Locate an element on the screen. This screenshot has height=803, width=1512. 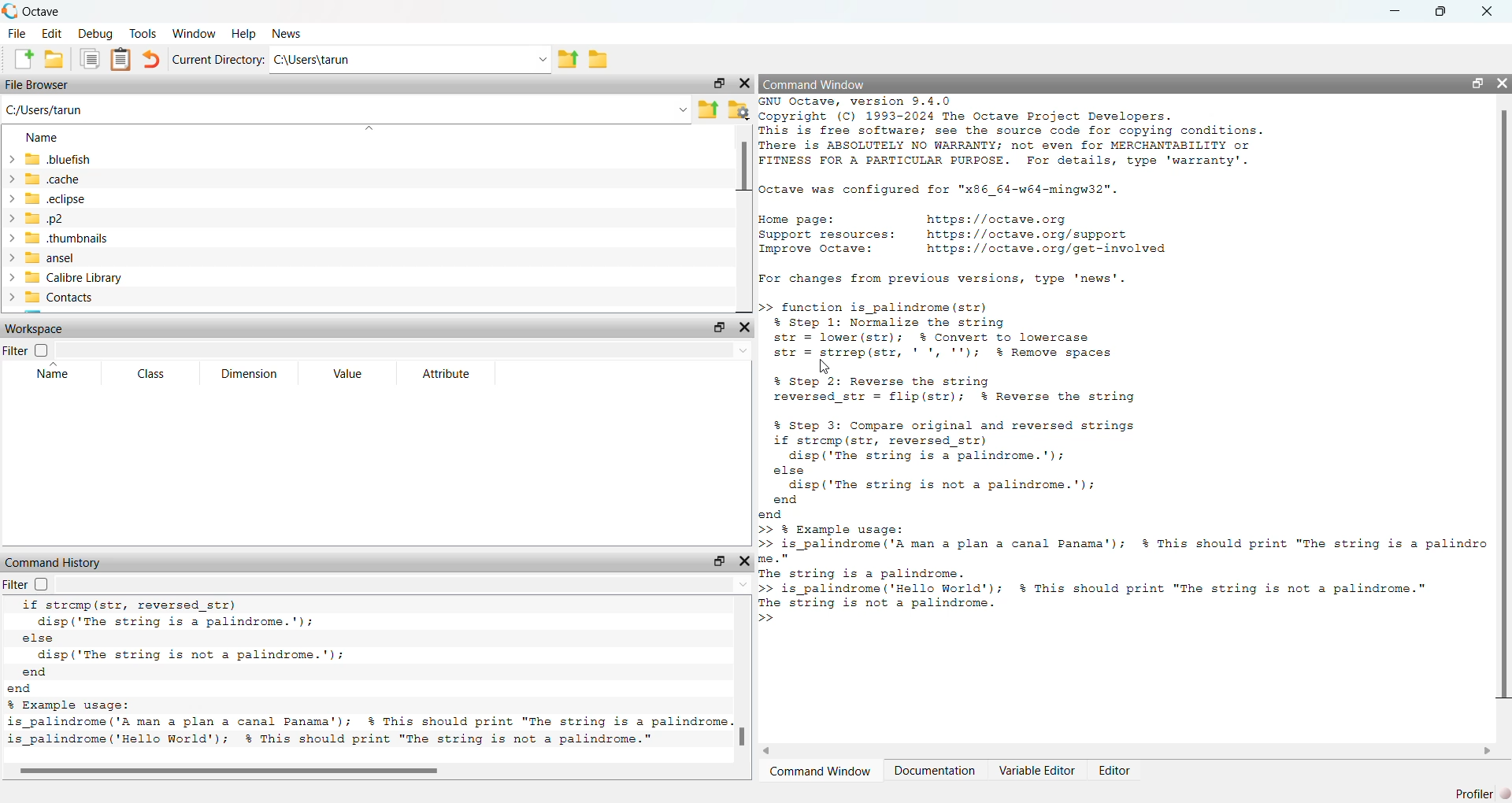
one directory up is located at coordinates (710, 109).